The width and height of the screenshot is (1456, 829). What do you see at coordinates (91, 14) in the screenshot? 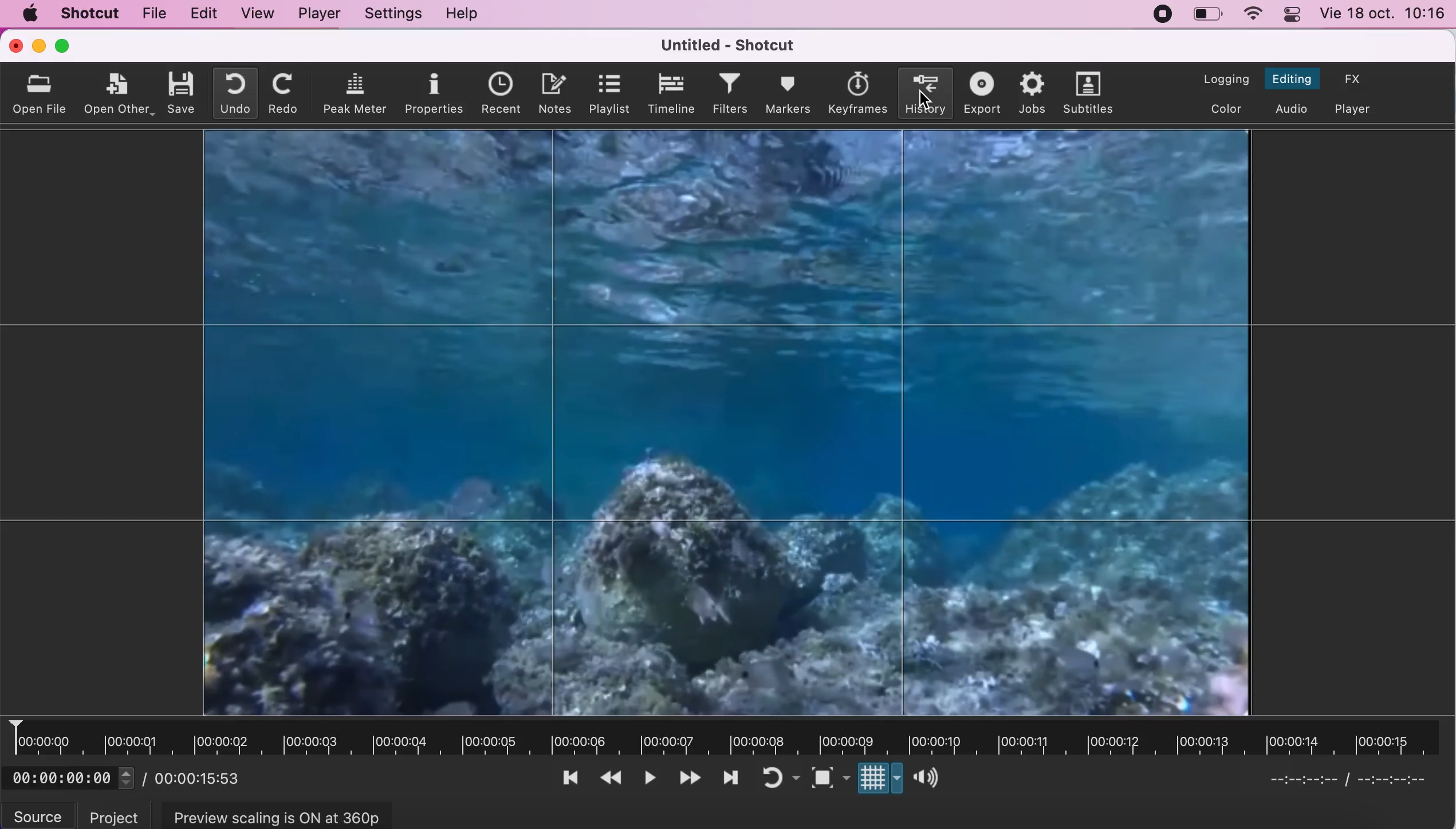
I see `shotcut` at bounding box center [91, 14].